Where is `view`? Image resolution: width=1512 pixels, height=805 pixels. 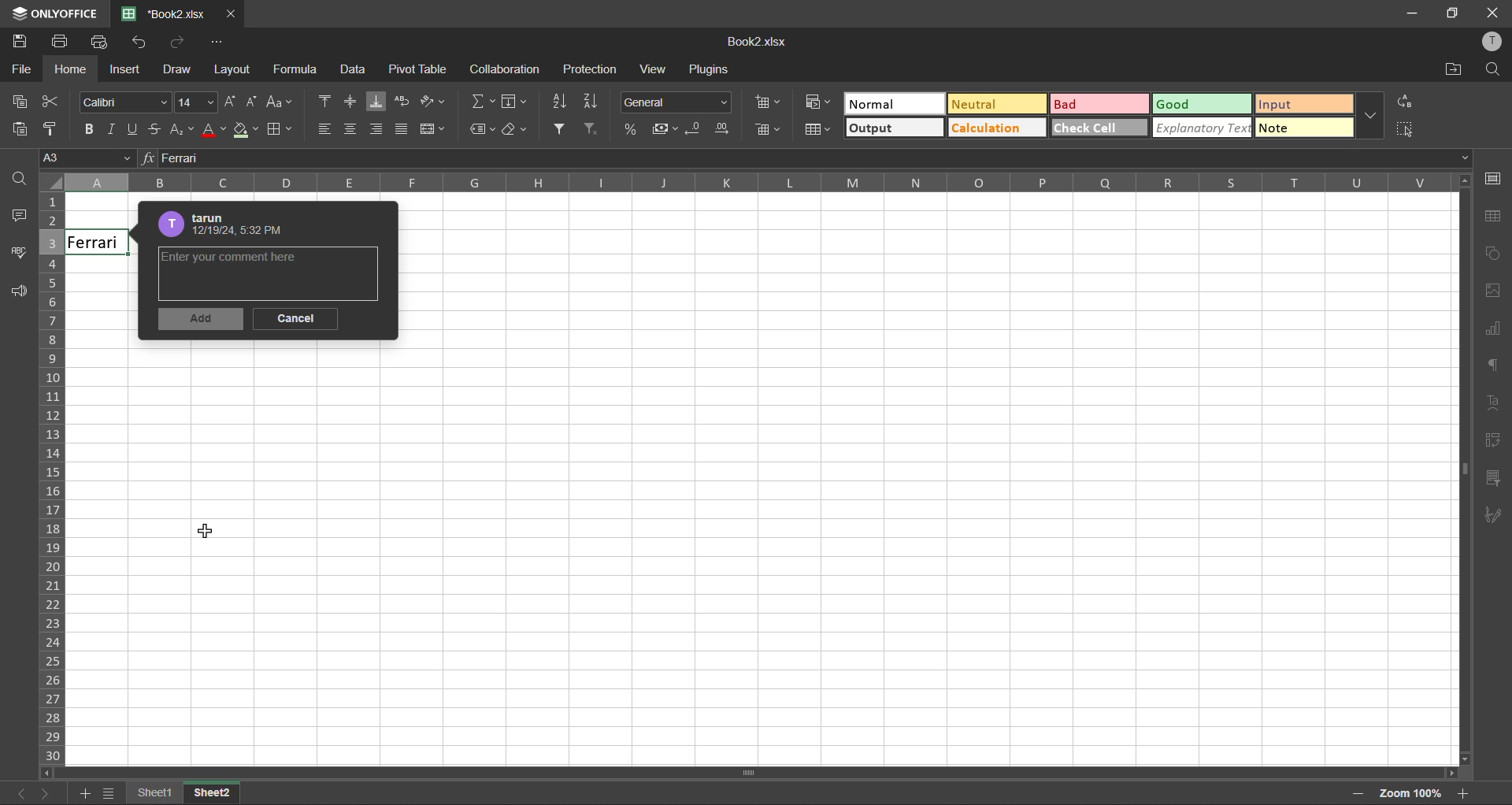 view is located at coordinates (654, 69).